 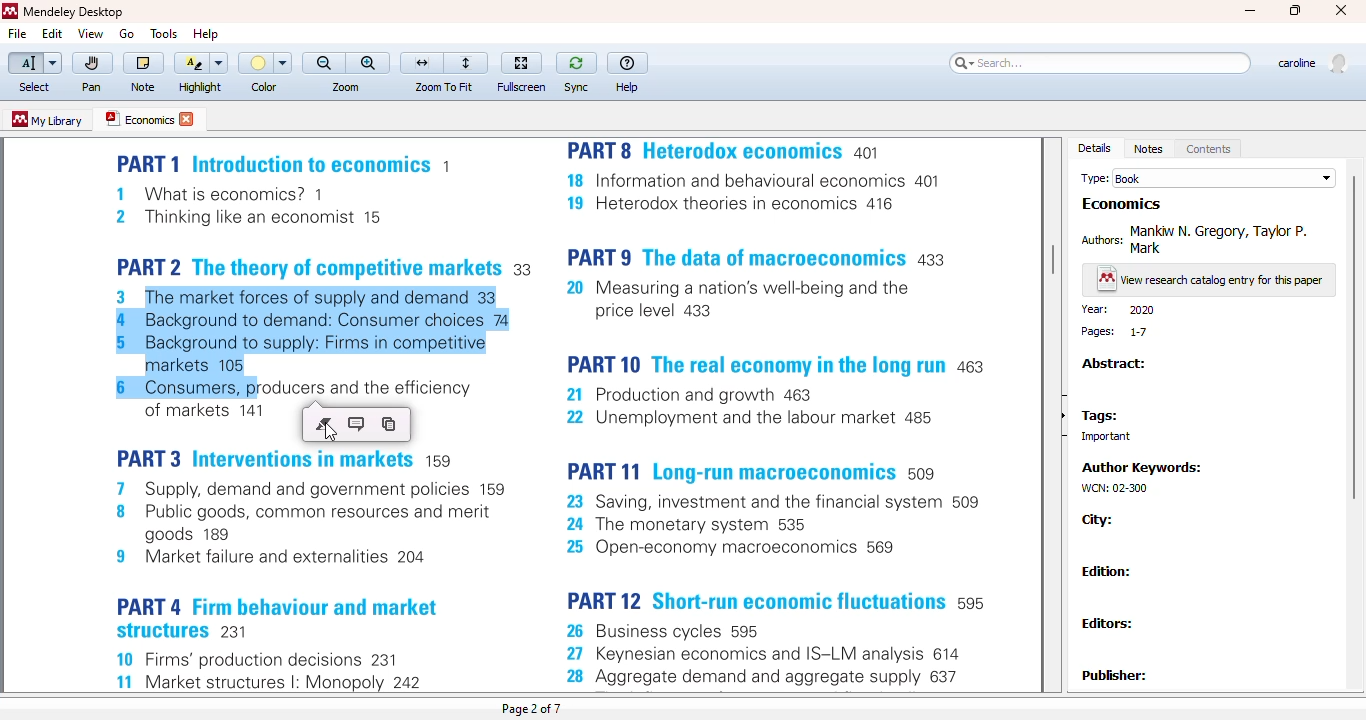 I want to click on note, so click(x=143, y=64).